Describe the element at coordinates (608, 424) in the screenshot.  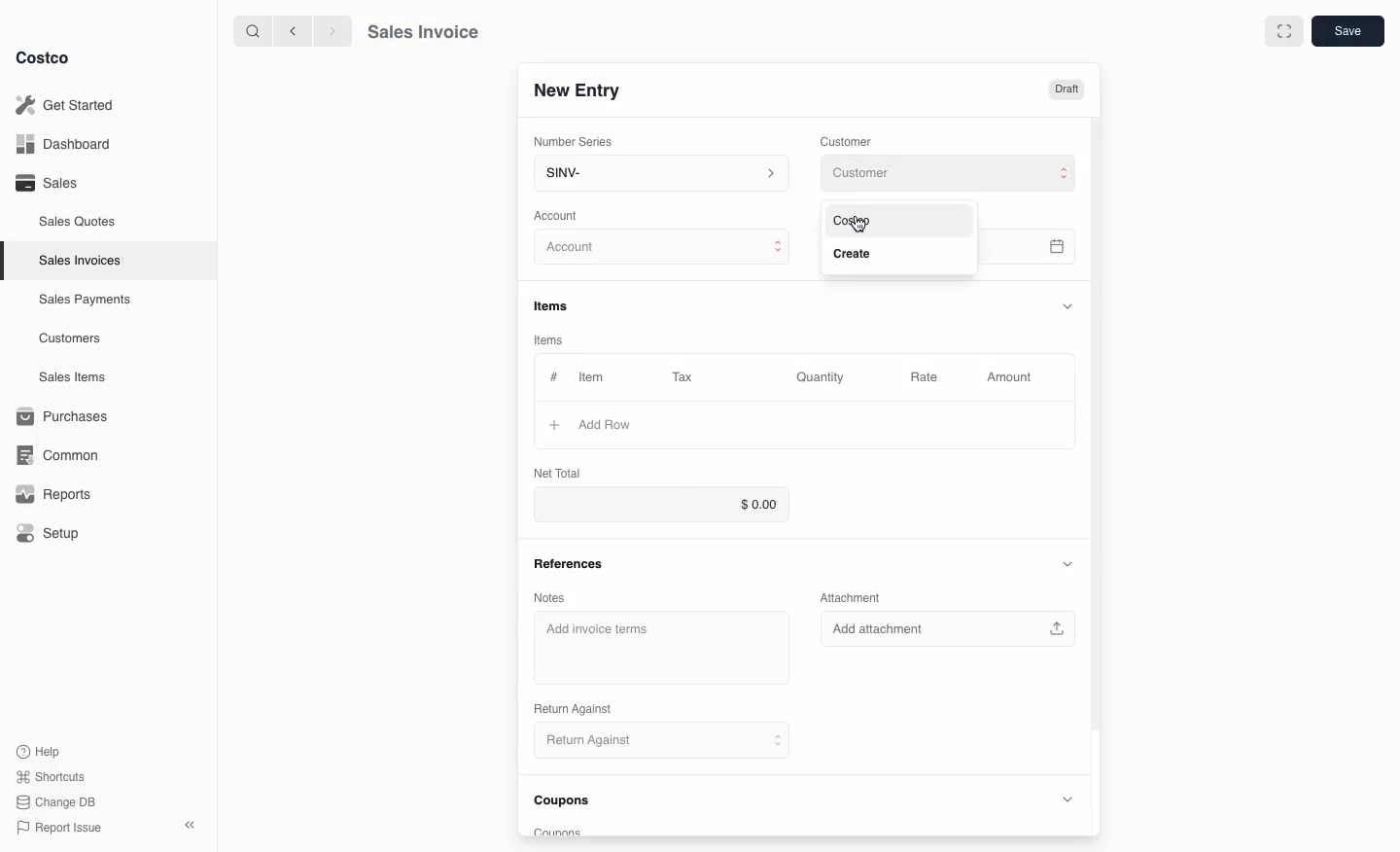
I see `‘Add Row` at that location.